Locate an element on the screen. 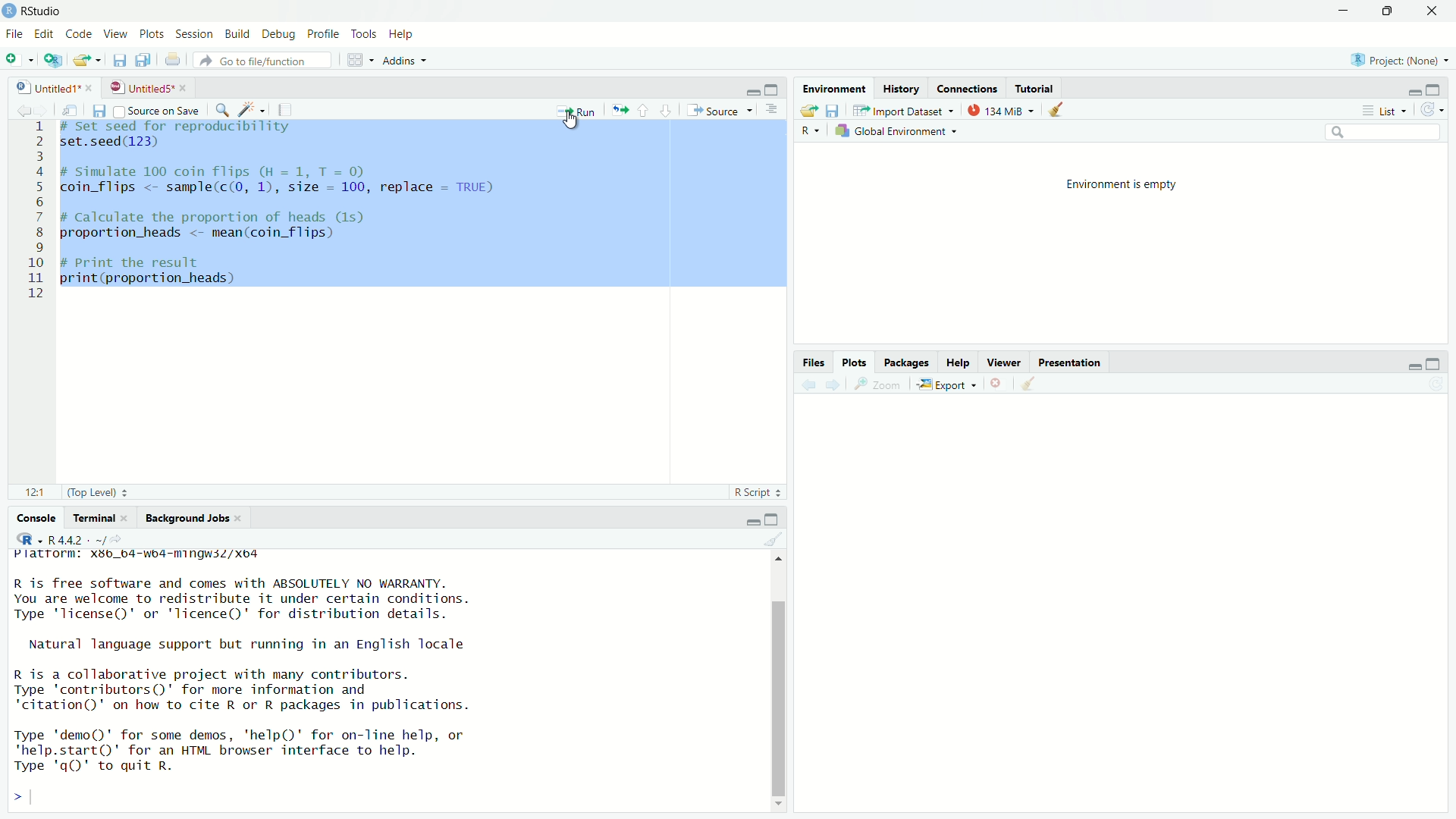 This screenshot has width=1456, height=819. session is located at coordinates (193, 33).